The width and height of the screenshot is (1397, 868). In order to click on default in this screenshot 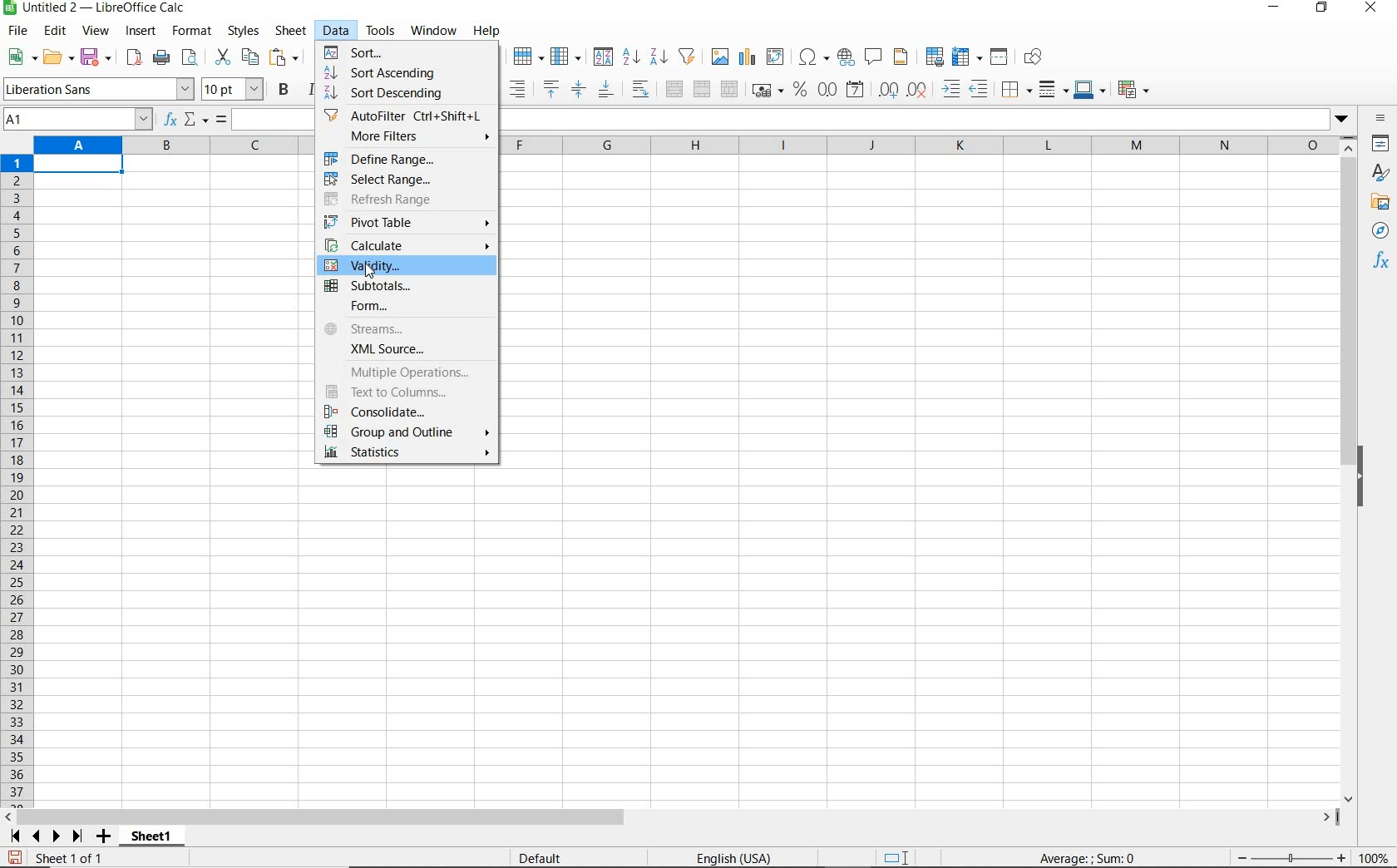, I will do `click(543, 859)`.